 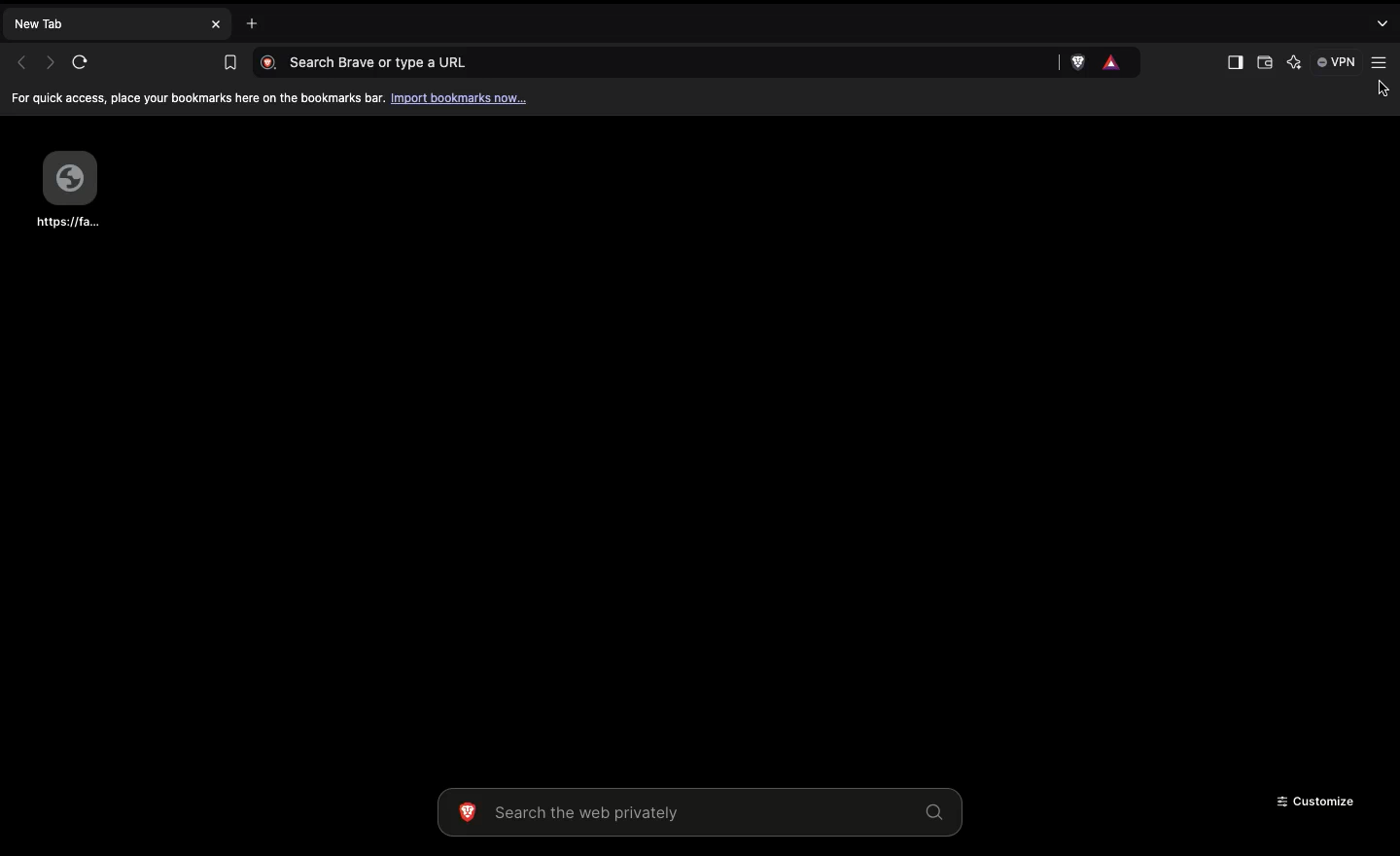 What do you see at coordinates (47, 62) in the screenshot?
I see `Next page` at bounding box center [47, 62].